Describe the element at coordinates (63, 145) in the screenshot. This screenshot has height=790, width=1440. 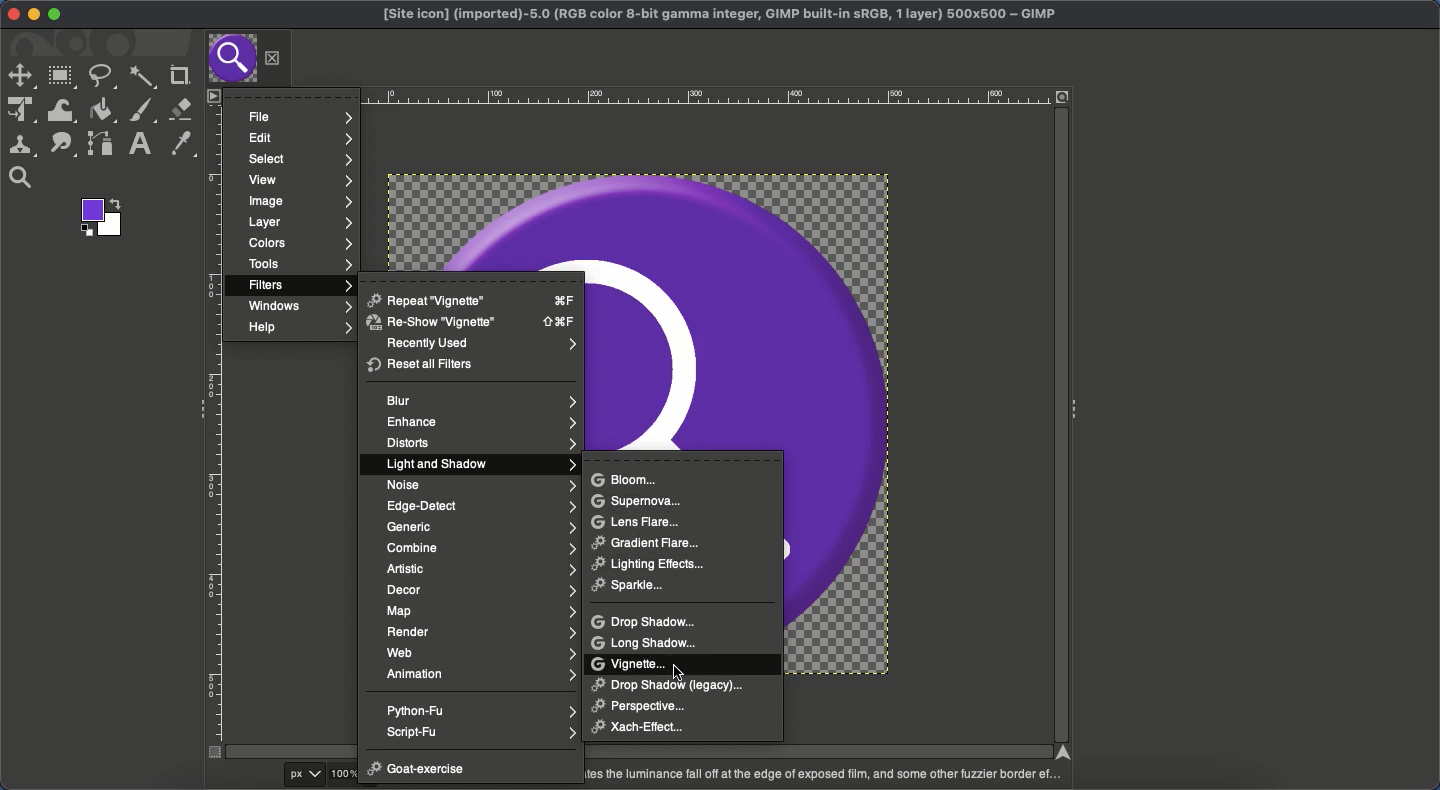
I see `Smudge` at that location.